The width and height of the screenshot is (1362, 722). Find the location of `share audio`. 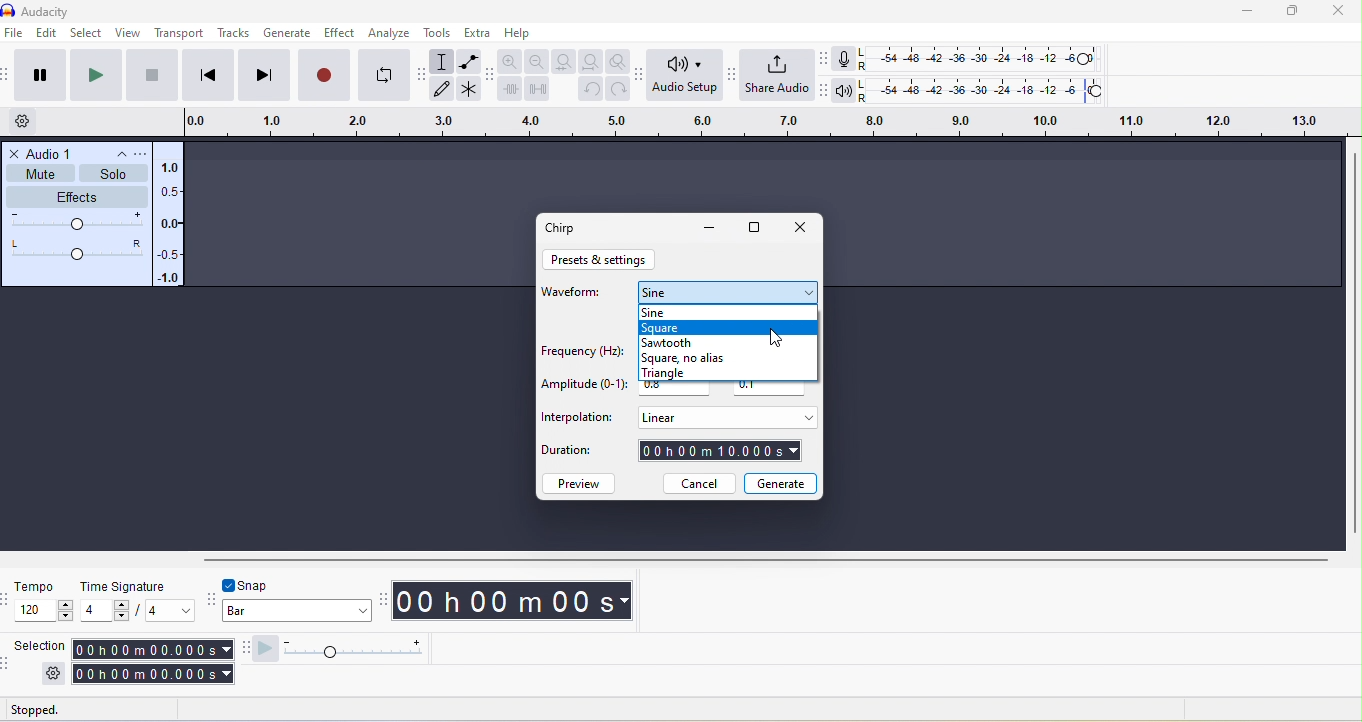

share audio is located at coordinates (779, 75).